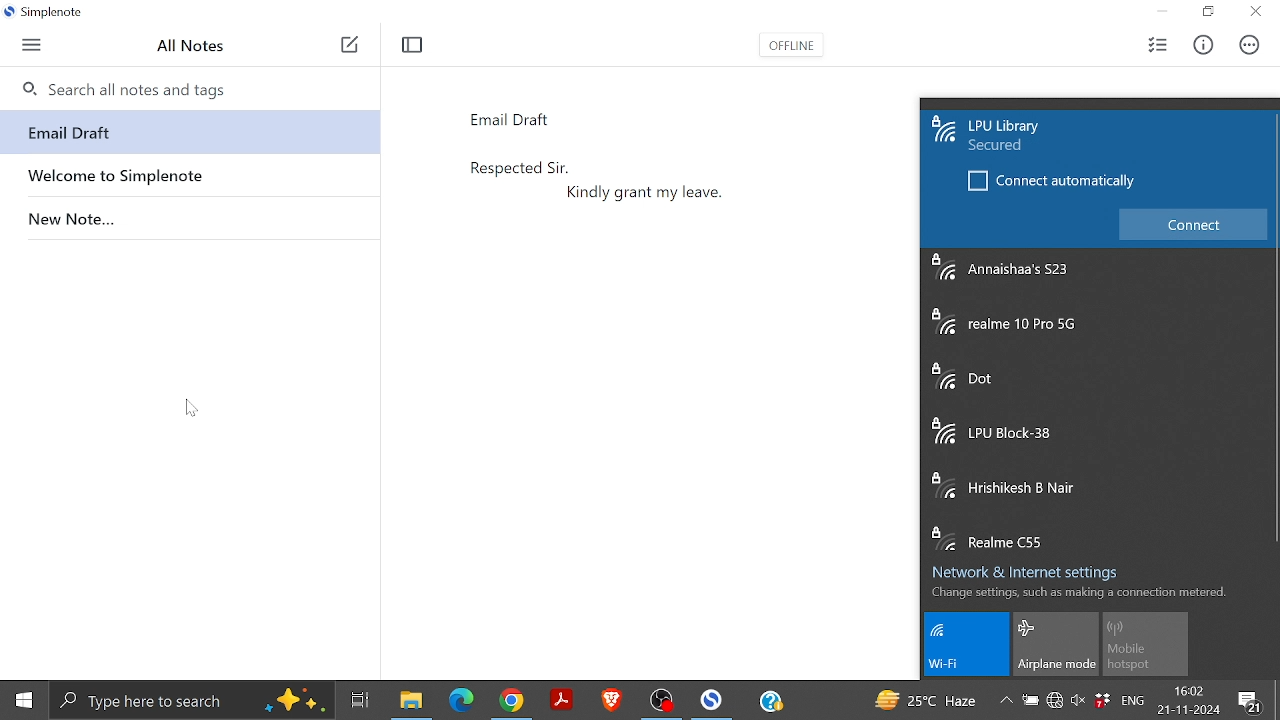  Describe the element at coordinates (1168, 12) in the screenshot. I see `Minimize` at that location.